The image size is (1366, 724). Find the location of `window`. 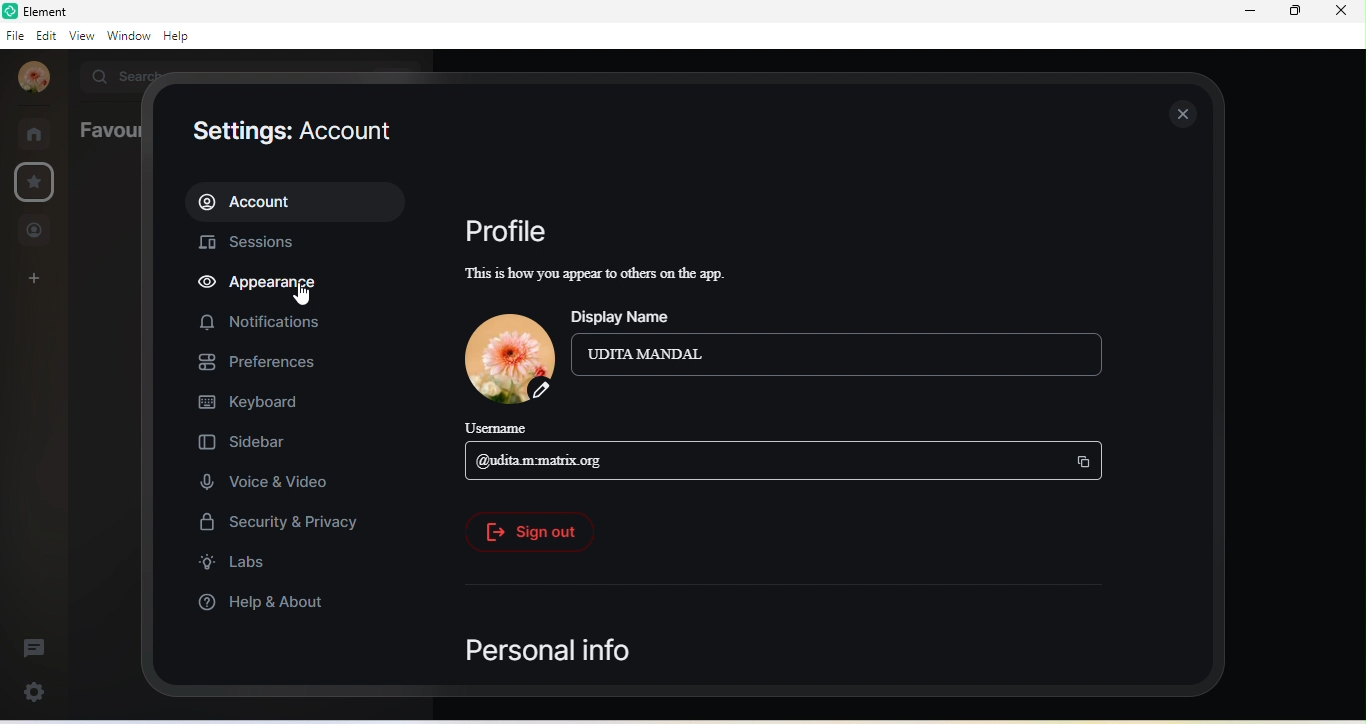

window is located at coordinates (128, 35).